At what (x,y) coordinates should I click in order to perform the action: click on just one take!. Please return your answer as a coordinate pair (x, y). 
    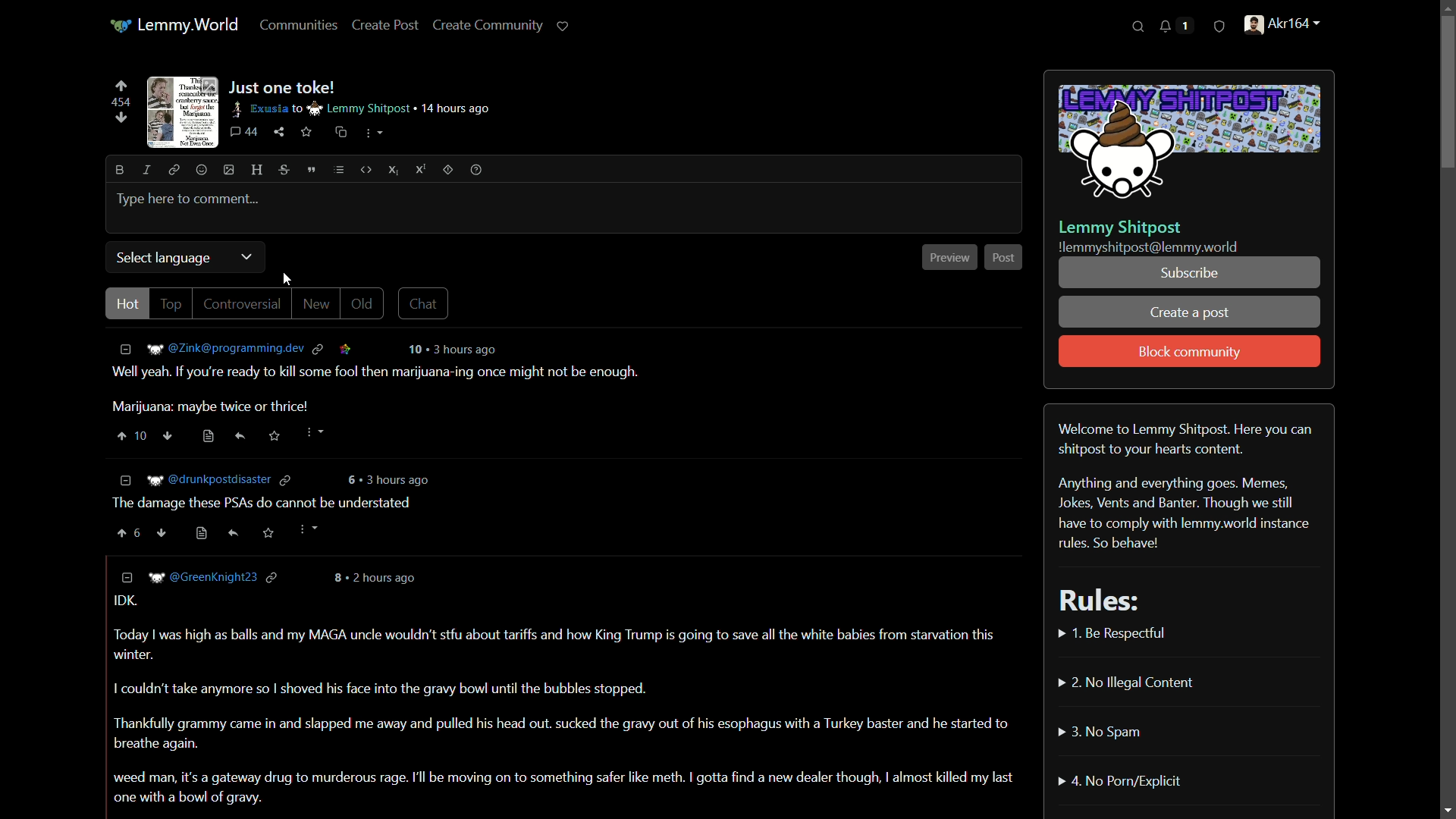
    Looking at the image, I should click on (283, 87).